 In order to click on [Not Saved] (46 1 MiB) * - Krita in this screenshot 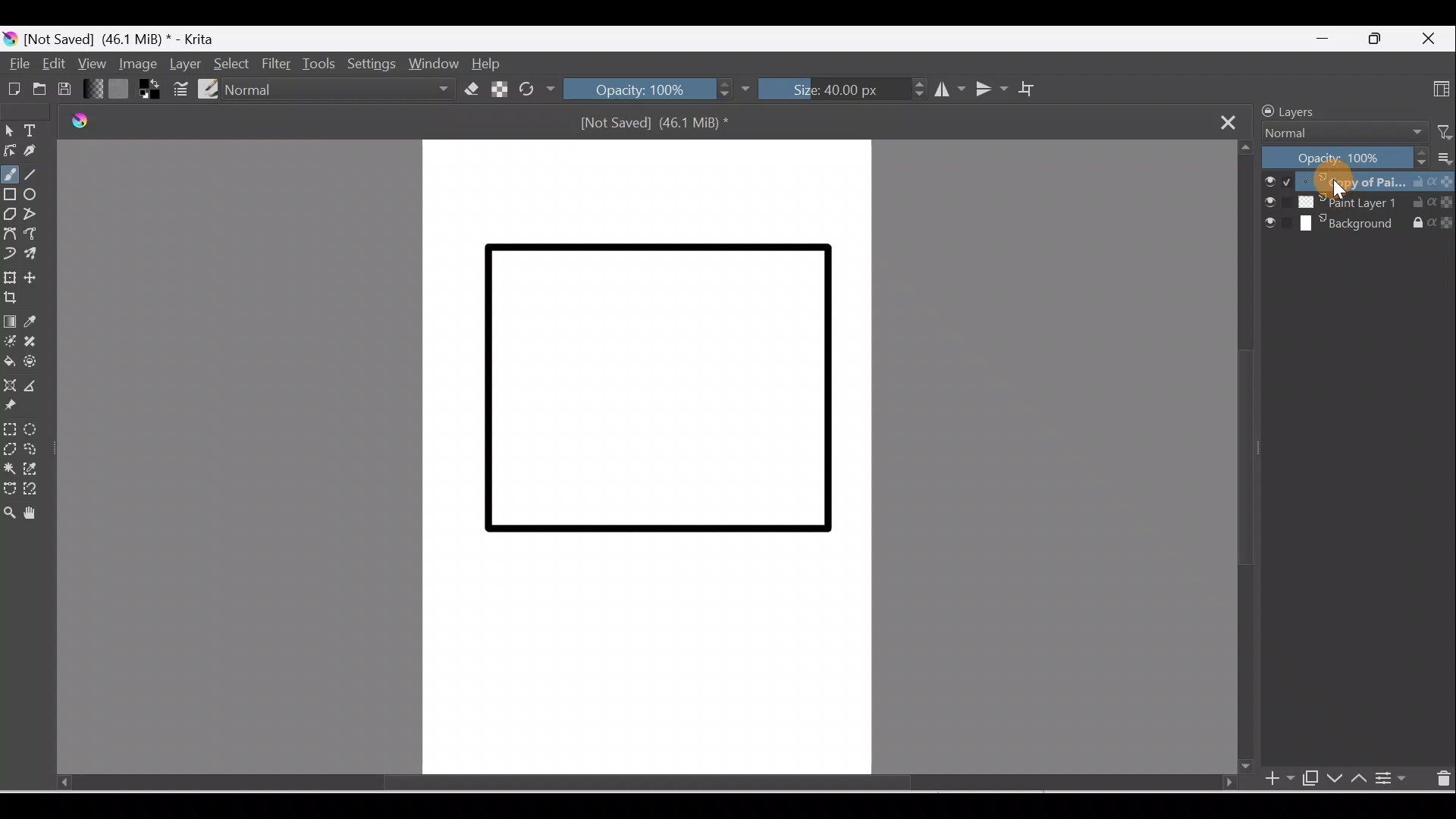, I will do `click(130, 36)`.